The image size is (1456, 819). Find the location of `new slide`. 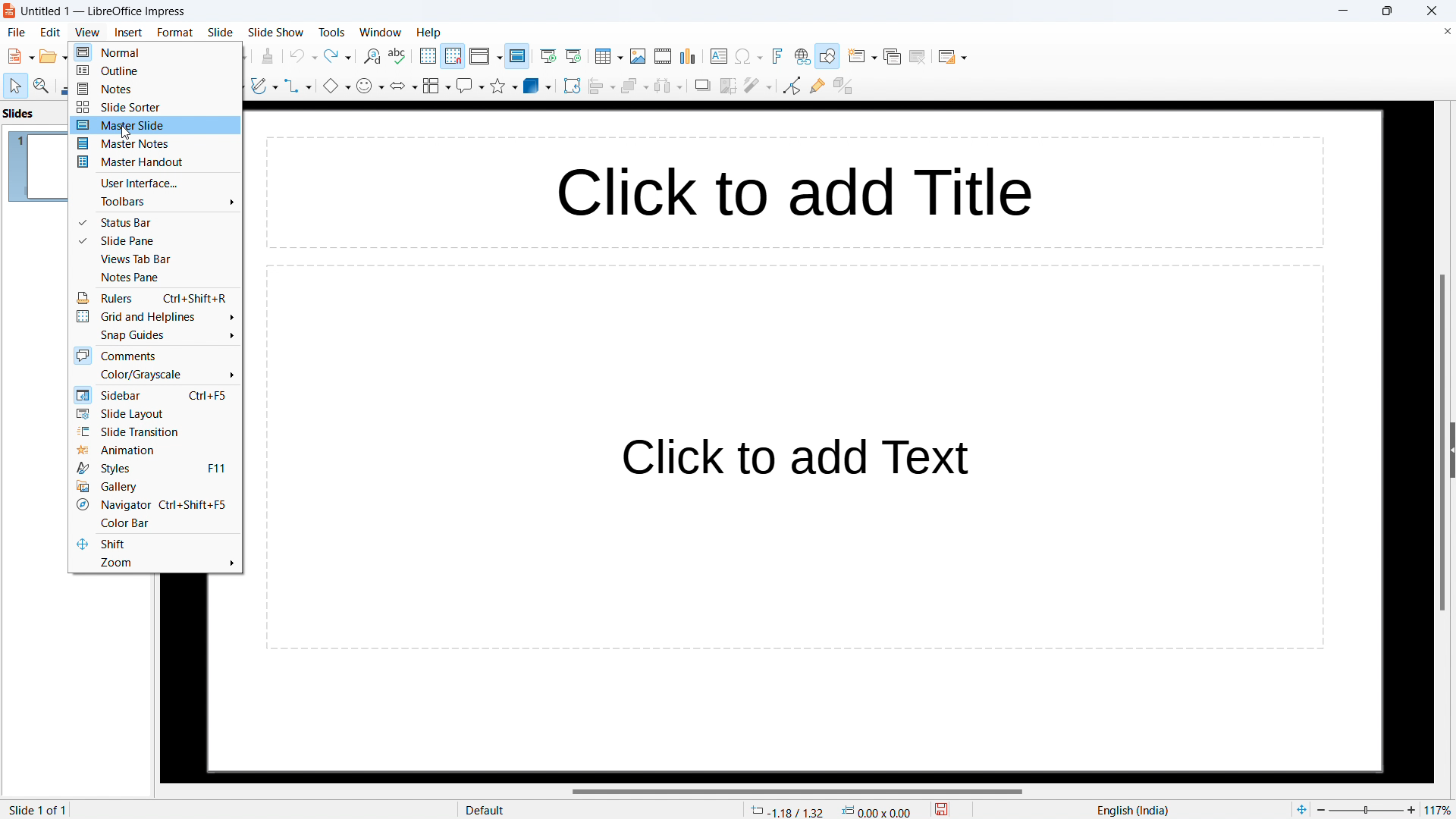

new slide is located at coordinates (861, 56).